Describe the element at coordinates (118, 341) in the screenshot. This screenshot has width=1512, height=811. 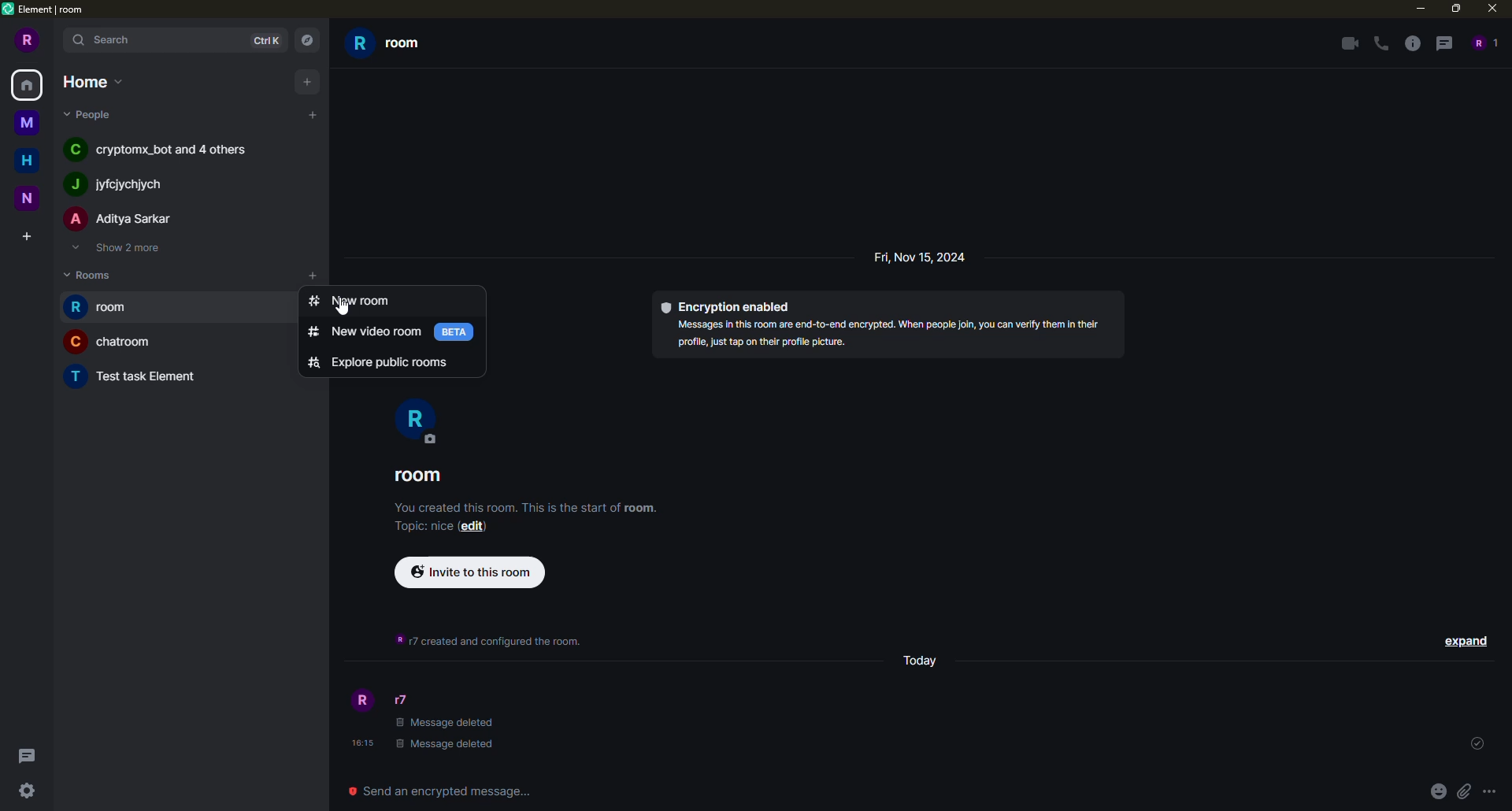
I see `room` at that location.